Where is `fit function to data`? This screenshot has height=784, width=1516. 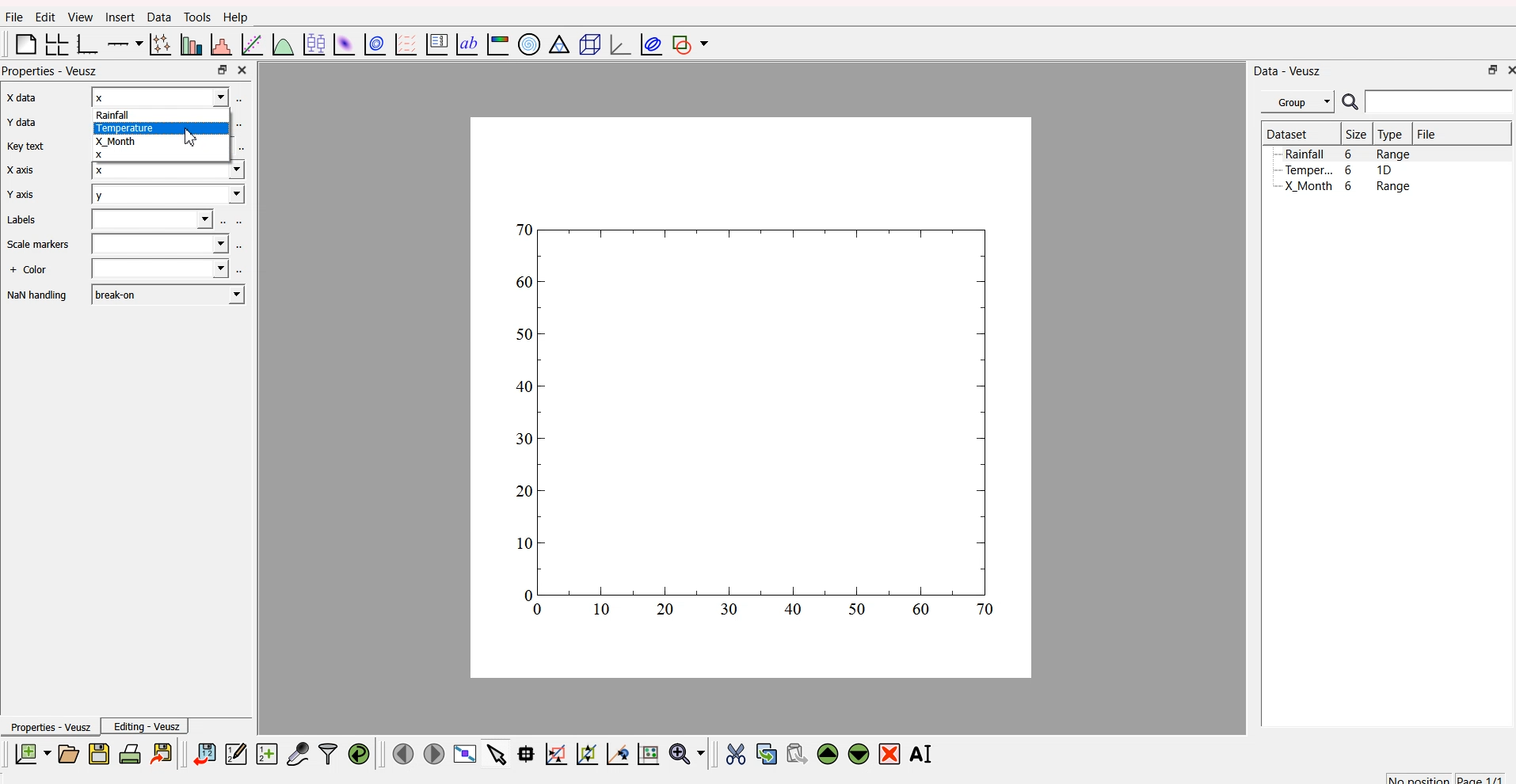
fit function to data is located at coordinates (252, 45).